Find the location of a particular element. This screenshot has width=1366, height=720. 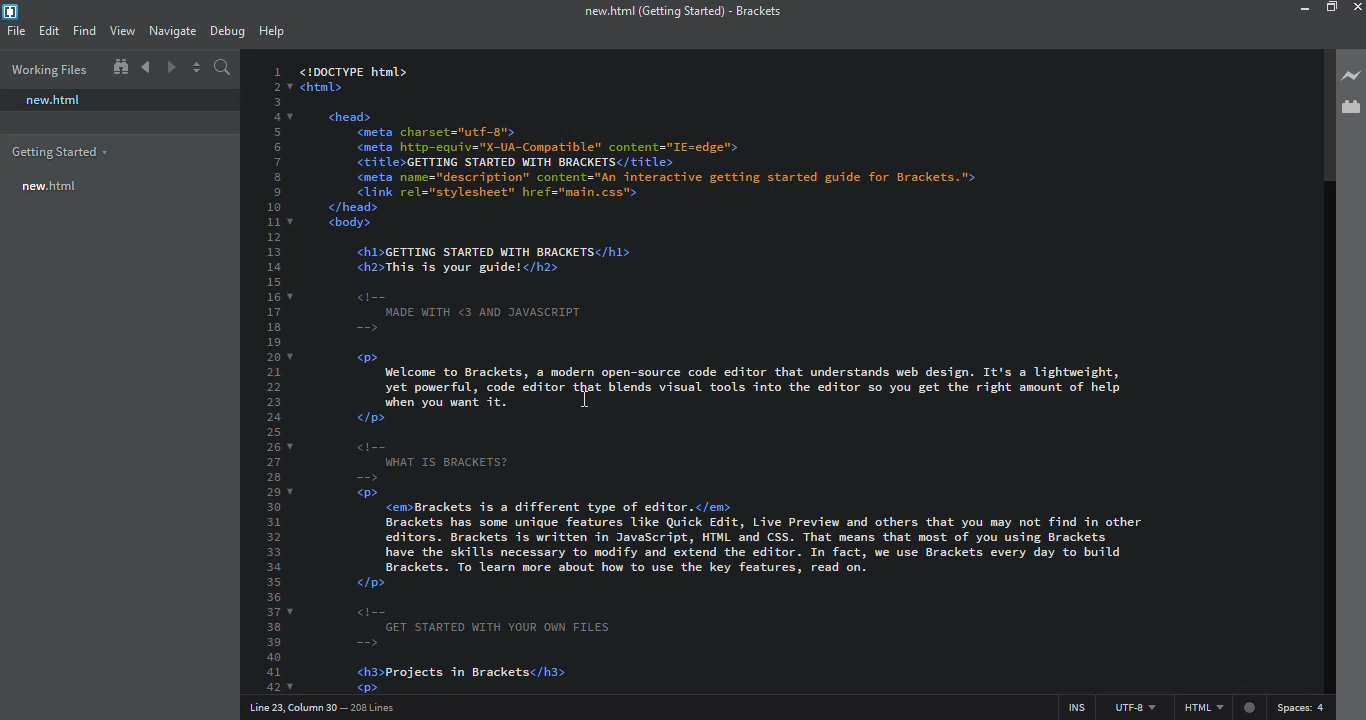

find is located at coordinates (85, 31).